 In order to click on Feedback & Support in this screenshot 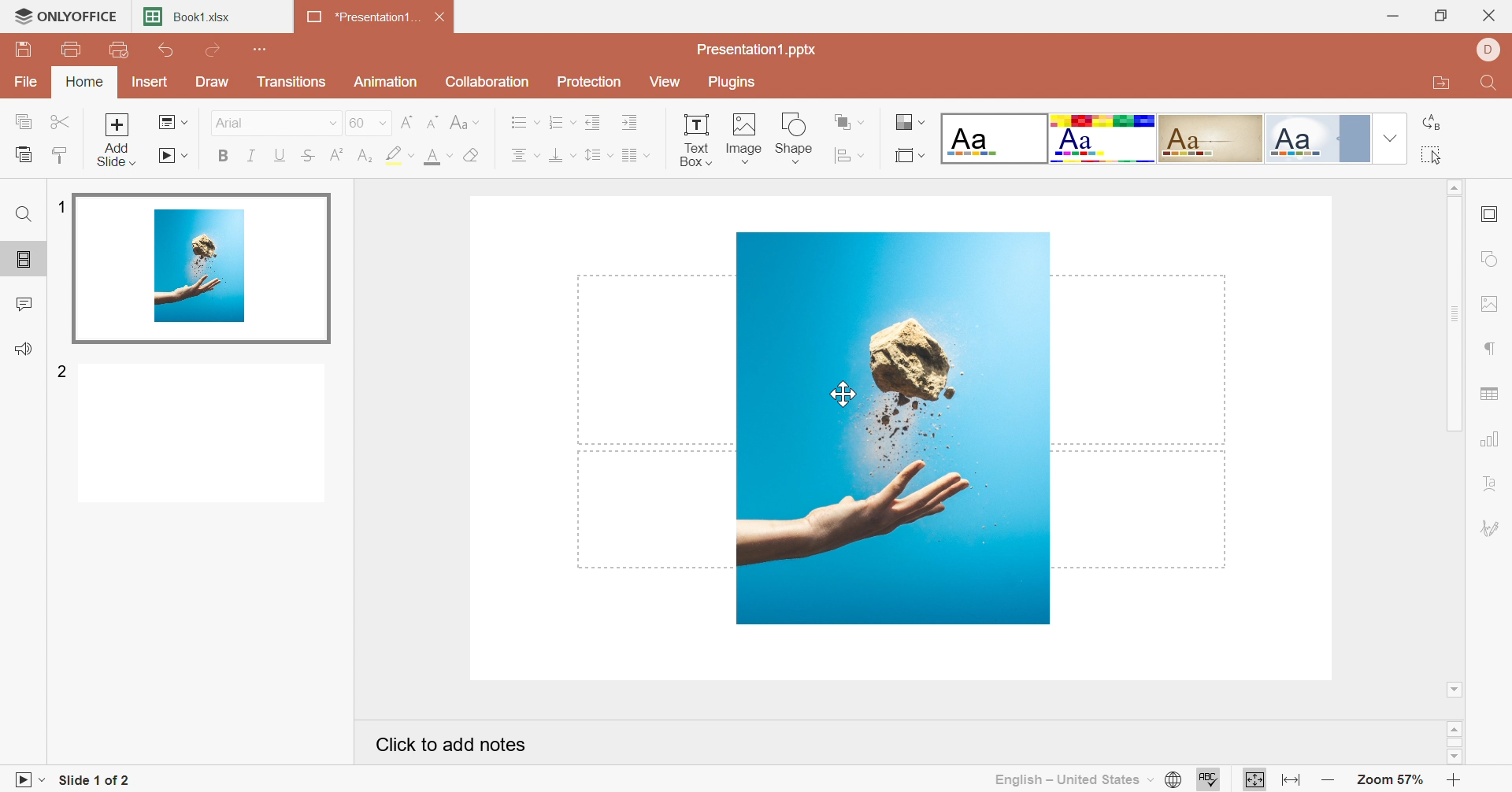, I will do `click(24, 348)`.